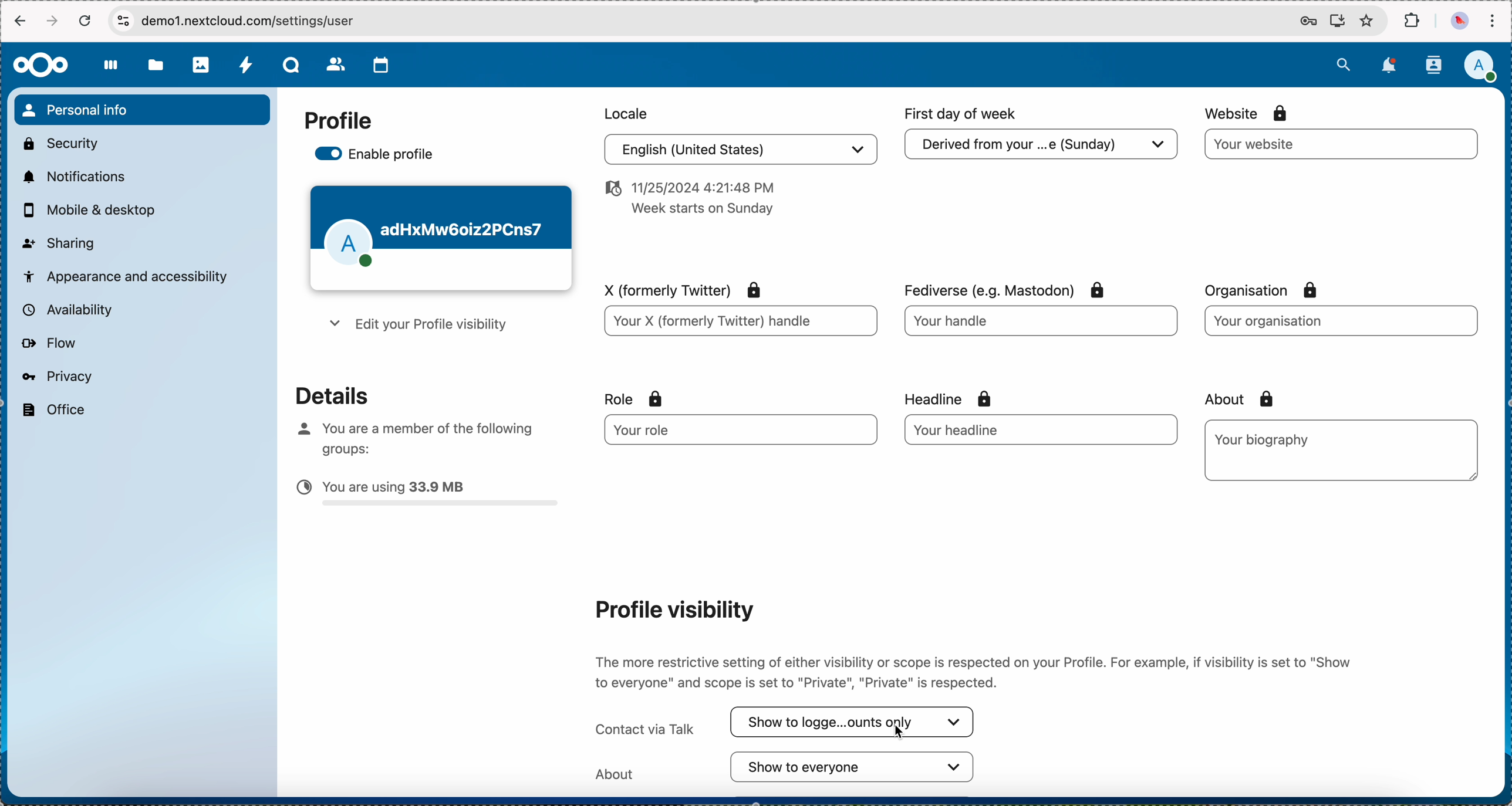  I want to click on flow, so click(48, 344).